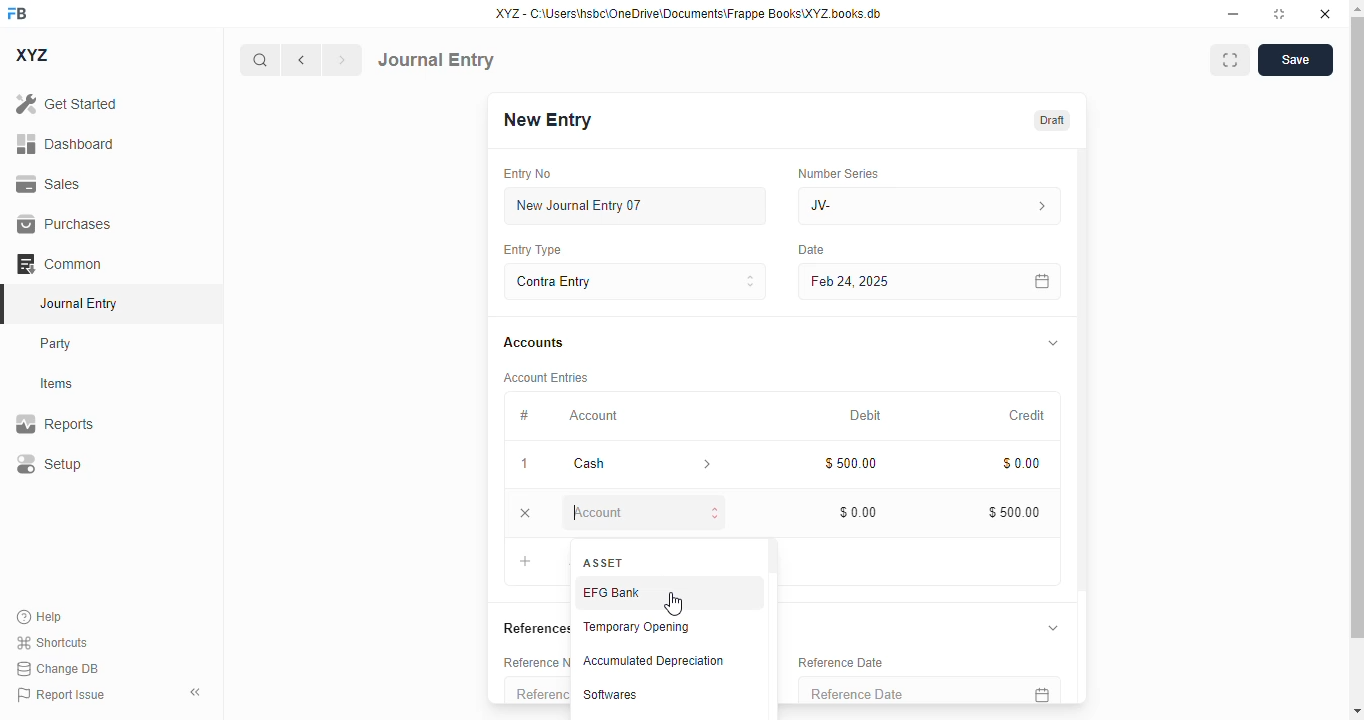 Image resolution: width=1364 pixels, height=720 pixels. Describe the element at coordinates (1020, 463) in the screenshot. I see `$0.00` at that location.